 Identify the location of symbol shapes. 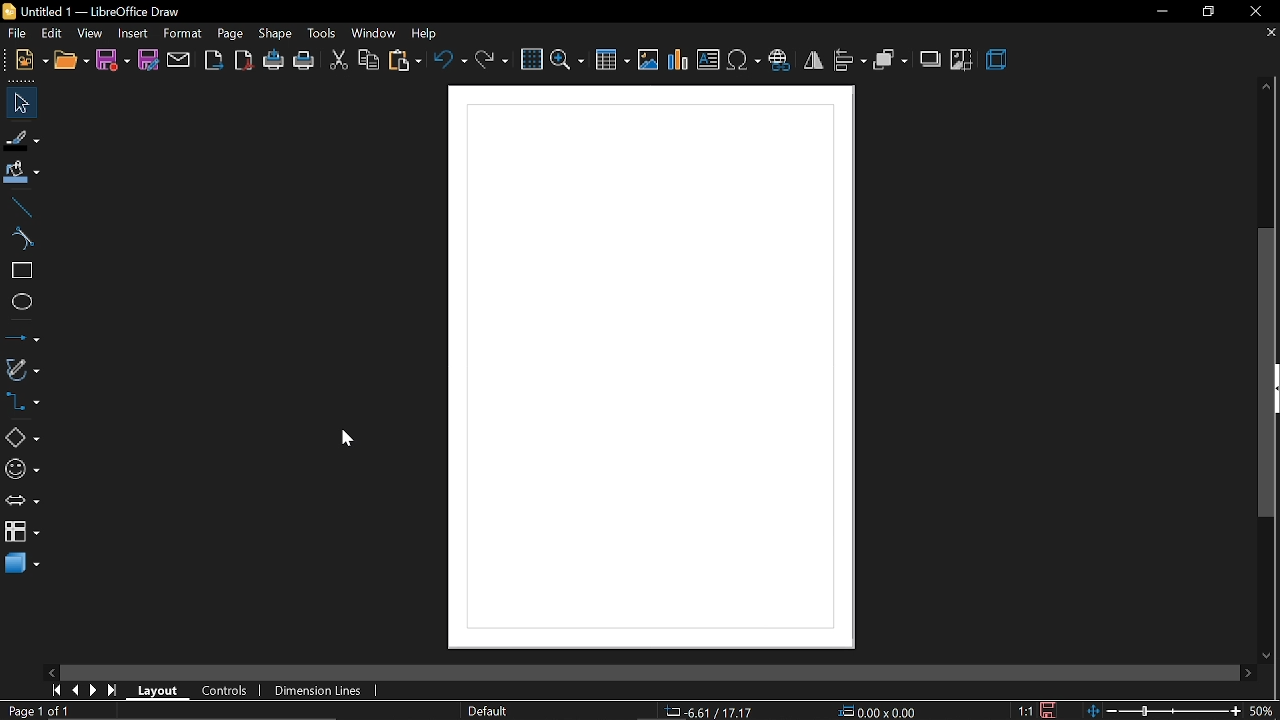
(22, 472).